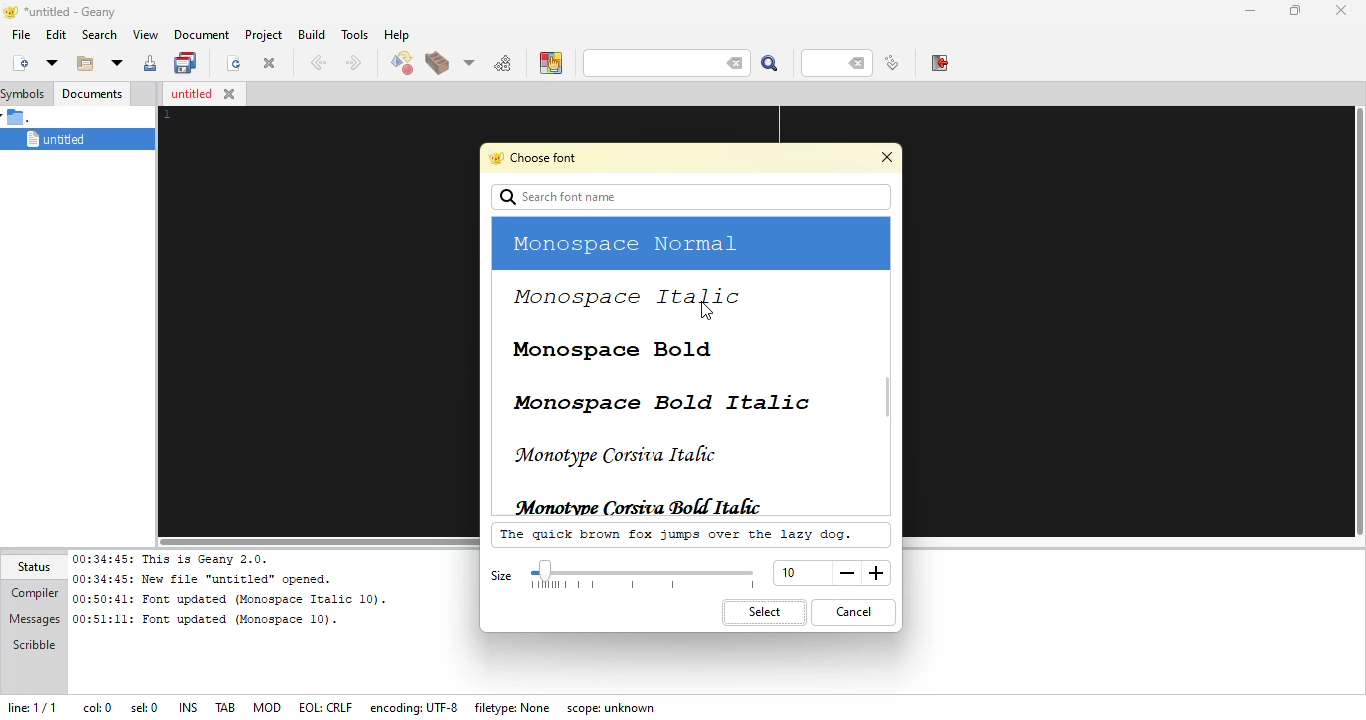 Image resolution: width=1366 pixels, height=720 pixels. Describe the element at coordinates (325, 708) in the screenshot. I see `eol: crlf` at that location.